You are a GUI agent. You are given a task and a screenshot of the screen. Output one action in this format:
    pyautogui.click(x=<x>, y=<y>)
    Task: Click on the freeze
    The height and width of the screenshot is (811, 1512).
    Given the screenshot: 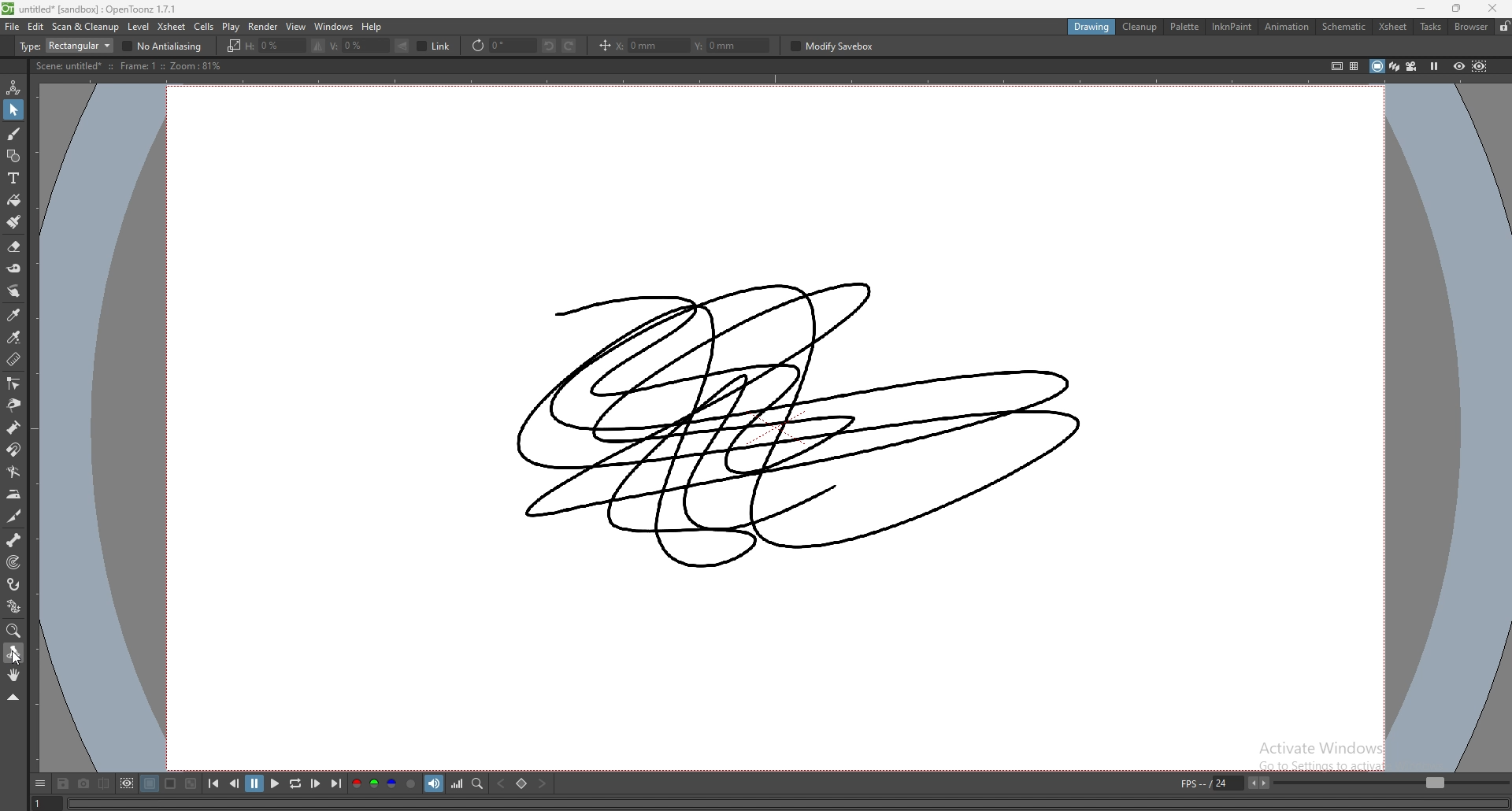 What is the action you would take?
    pyautogui.click(x=1434, y=66)
    